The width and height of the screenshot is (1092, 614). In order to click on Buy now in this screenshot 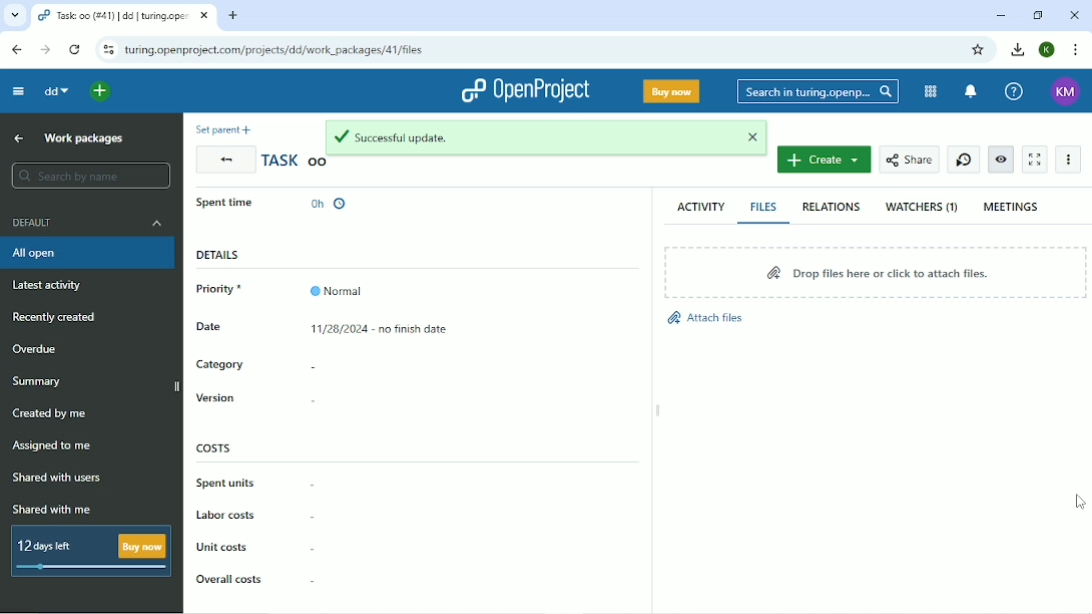, I will do `click(672, 92)`.